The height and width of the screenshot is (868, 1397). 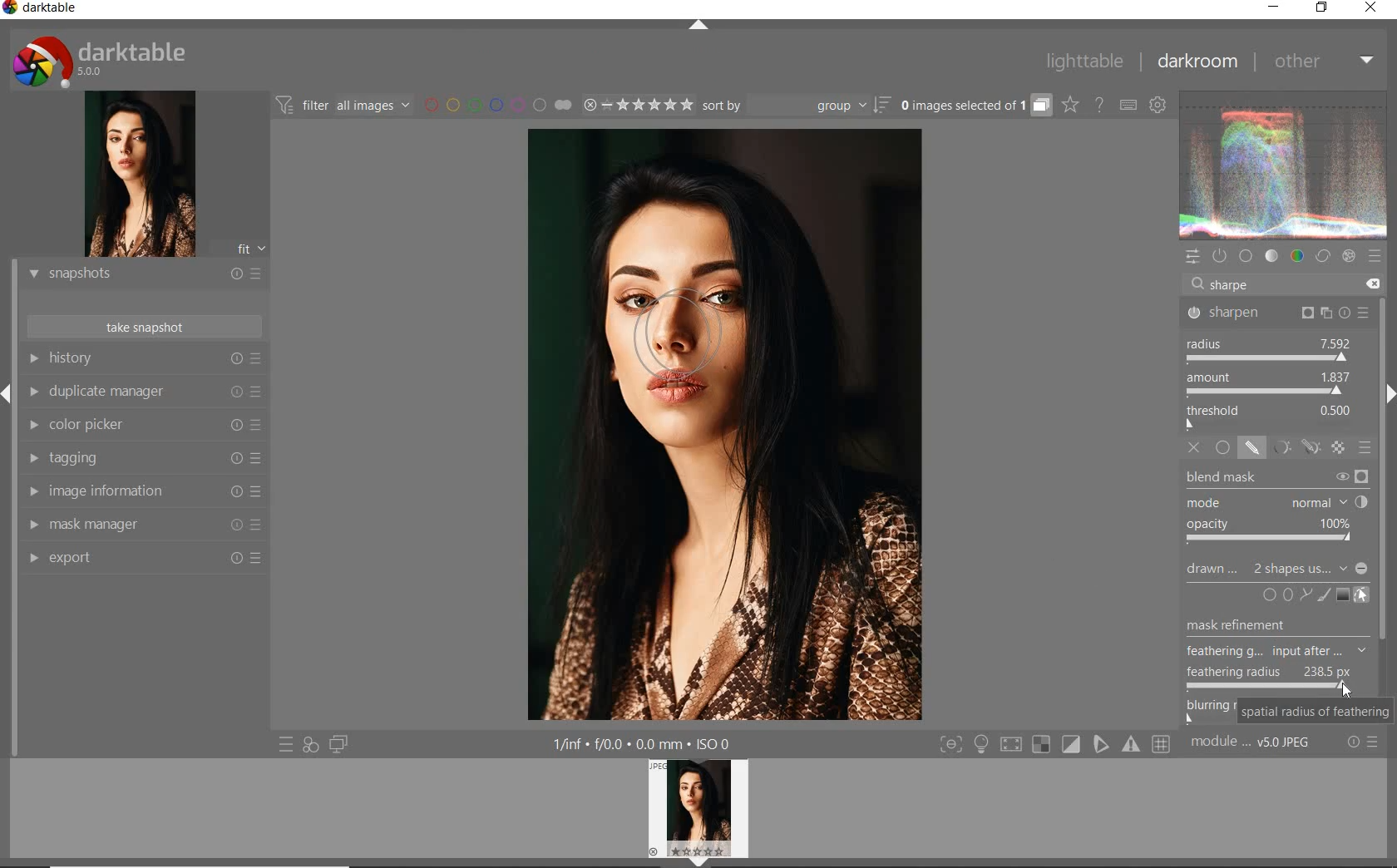 I want to click on filter images based on their modules, so click(x=344, y=104).